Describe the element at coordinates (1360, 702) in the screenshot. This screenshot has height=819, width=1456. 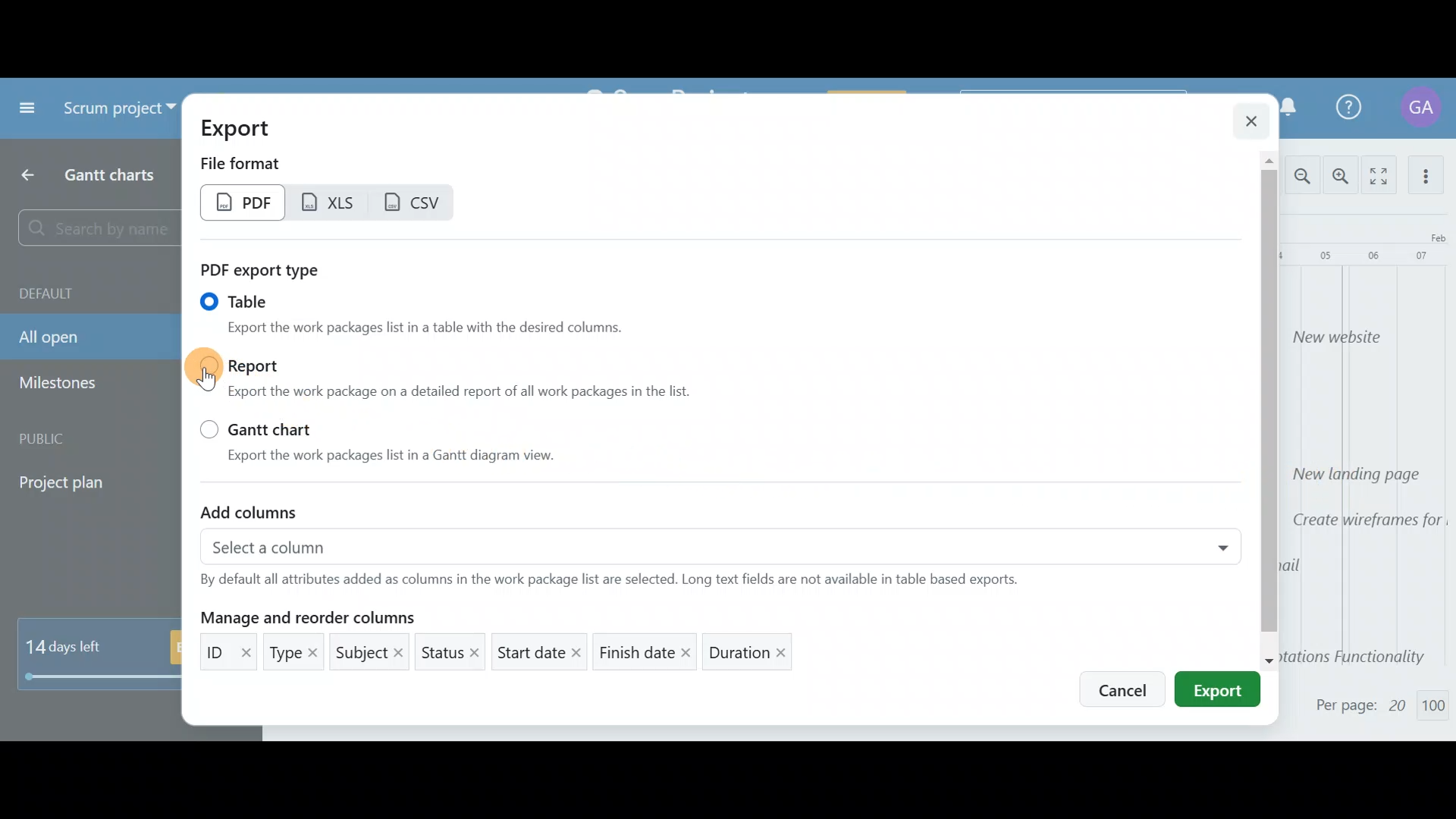
I see `Per page: 20` at that location.